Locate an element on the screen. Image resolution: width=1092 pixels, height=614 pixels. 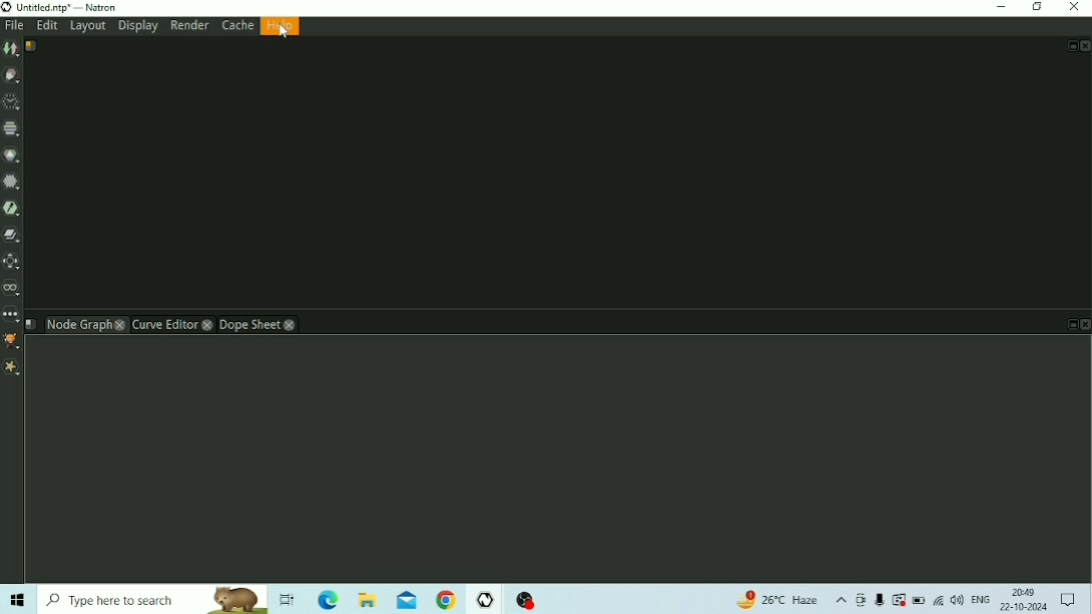
Meet Now is located at coordinates (861, 600).